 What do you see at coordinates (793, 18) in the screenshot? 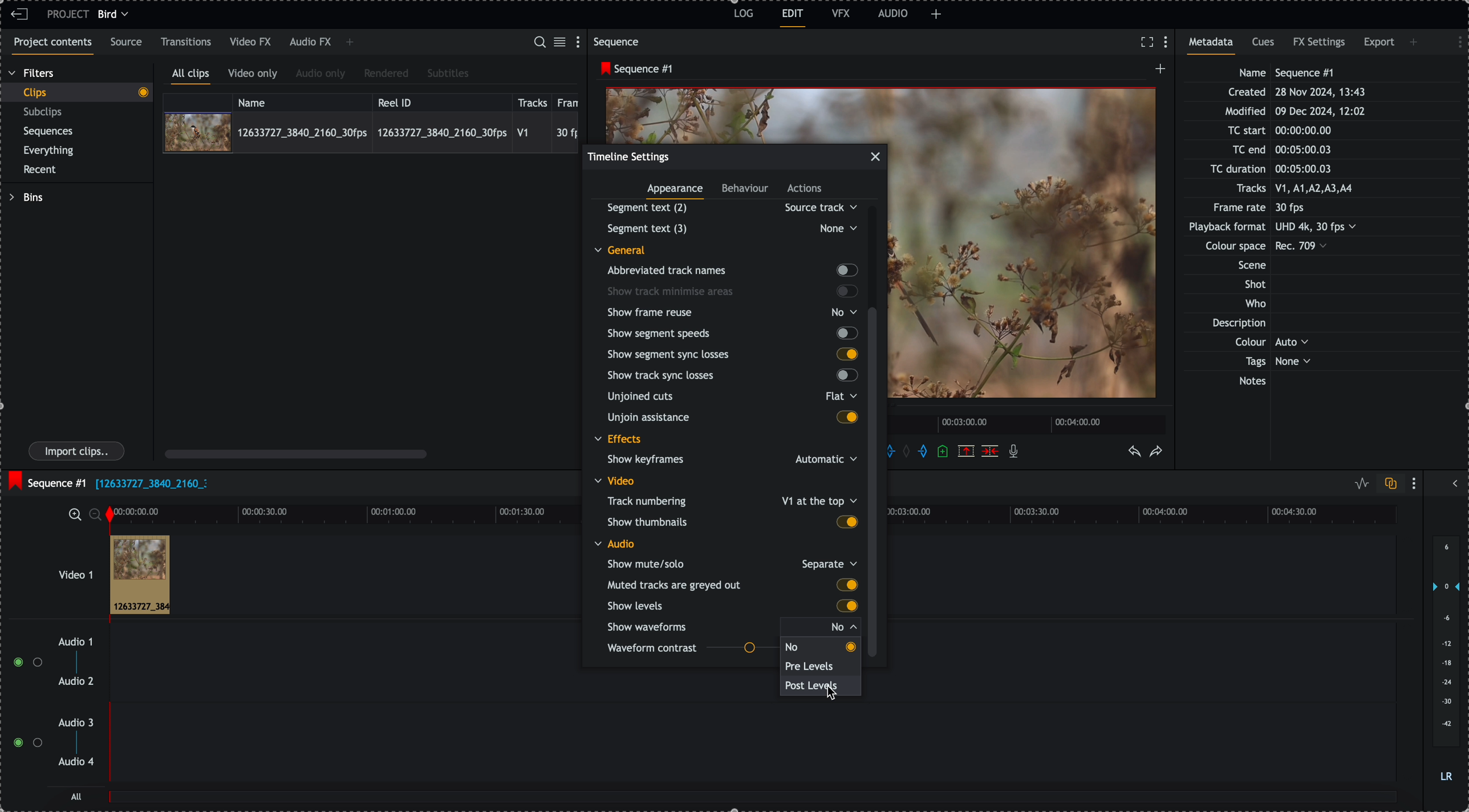
I see `edit` at bounding box center [793, 18].